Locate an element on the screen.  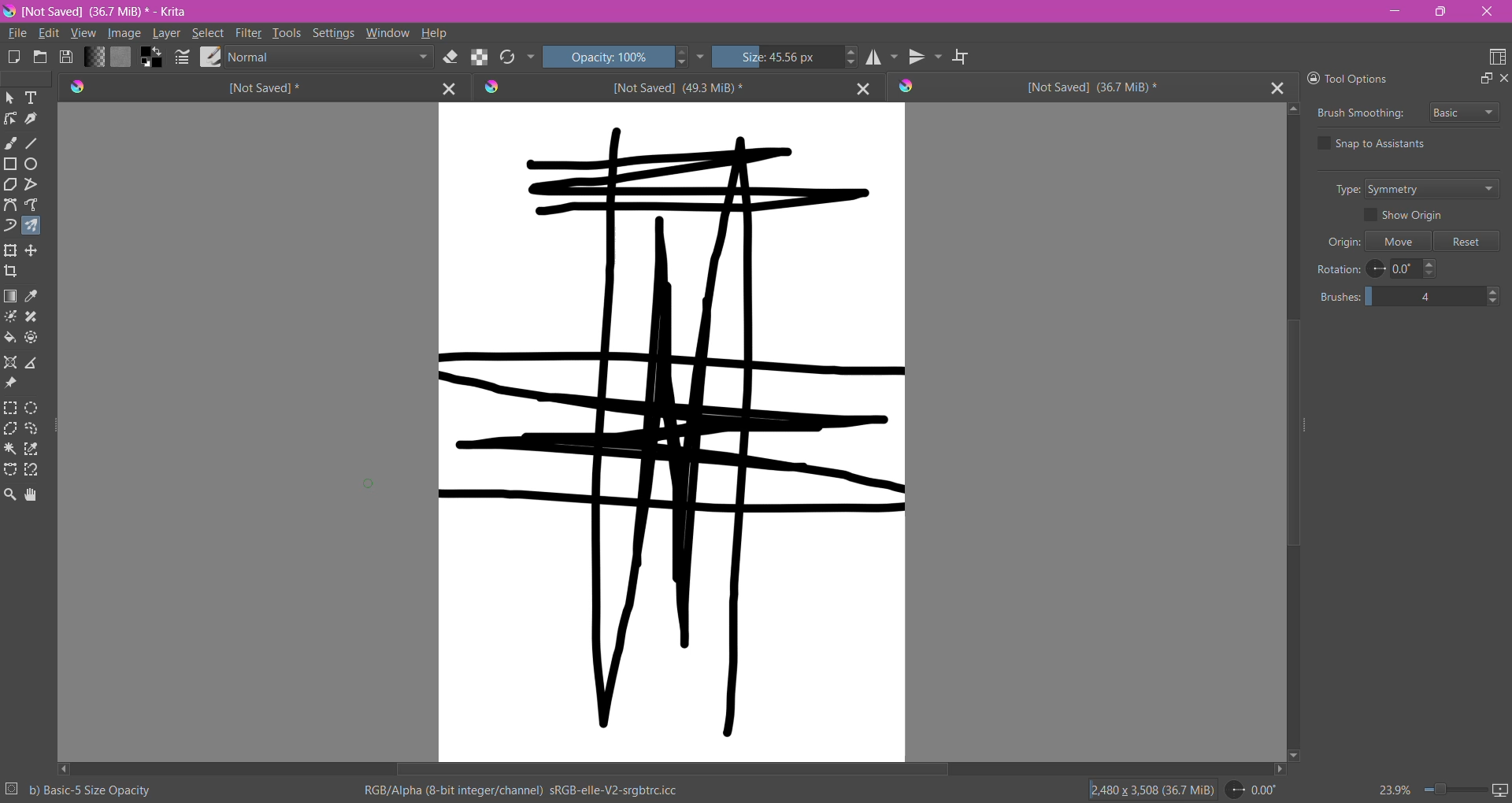
Fill a contagious area of color with a color, or a fill selection is located at coordinates (11, 338).